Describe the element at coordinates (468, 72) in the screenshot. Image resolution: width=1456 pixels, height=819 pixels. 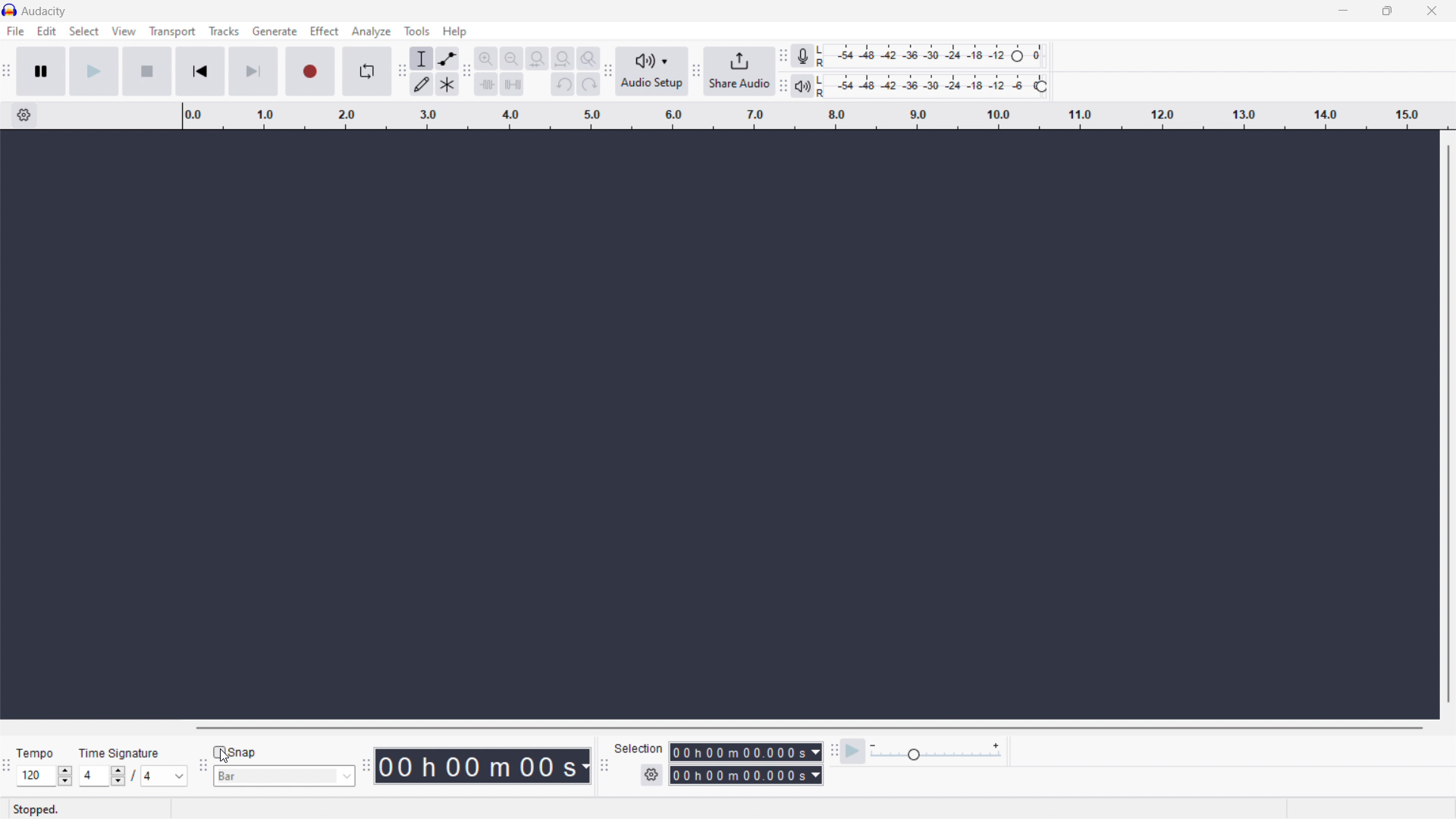
I see `audacity edit toolbar` at that location.